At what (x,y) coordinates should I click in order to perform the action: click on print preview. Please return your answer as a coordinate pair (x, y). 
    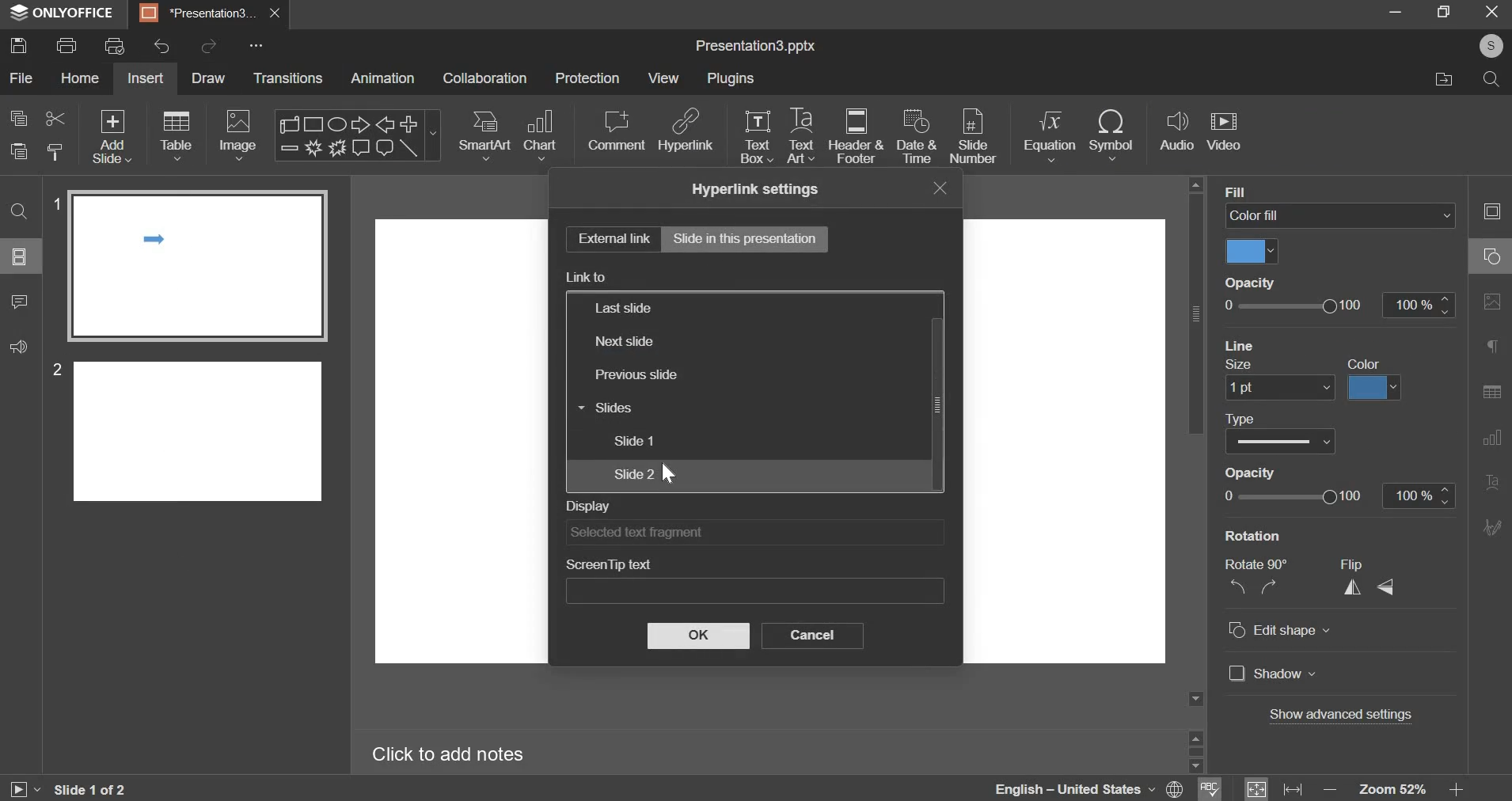
    Looking at the image, I should click on (115, 45).